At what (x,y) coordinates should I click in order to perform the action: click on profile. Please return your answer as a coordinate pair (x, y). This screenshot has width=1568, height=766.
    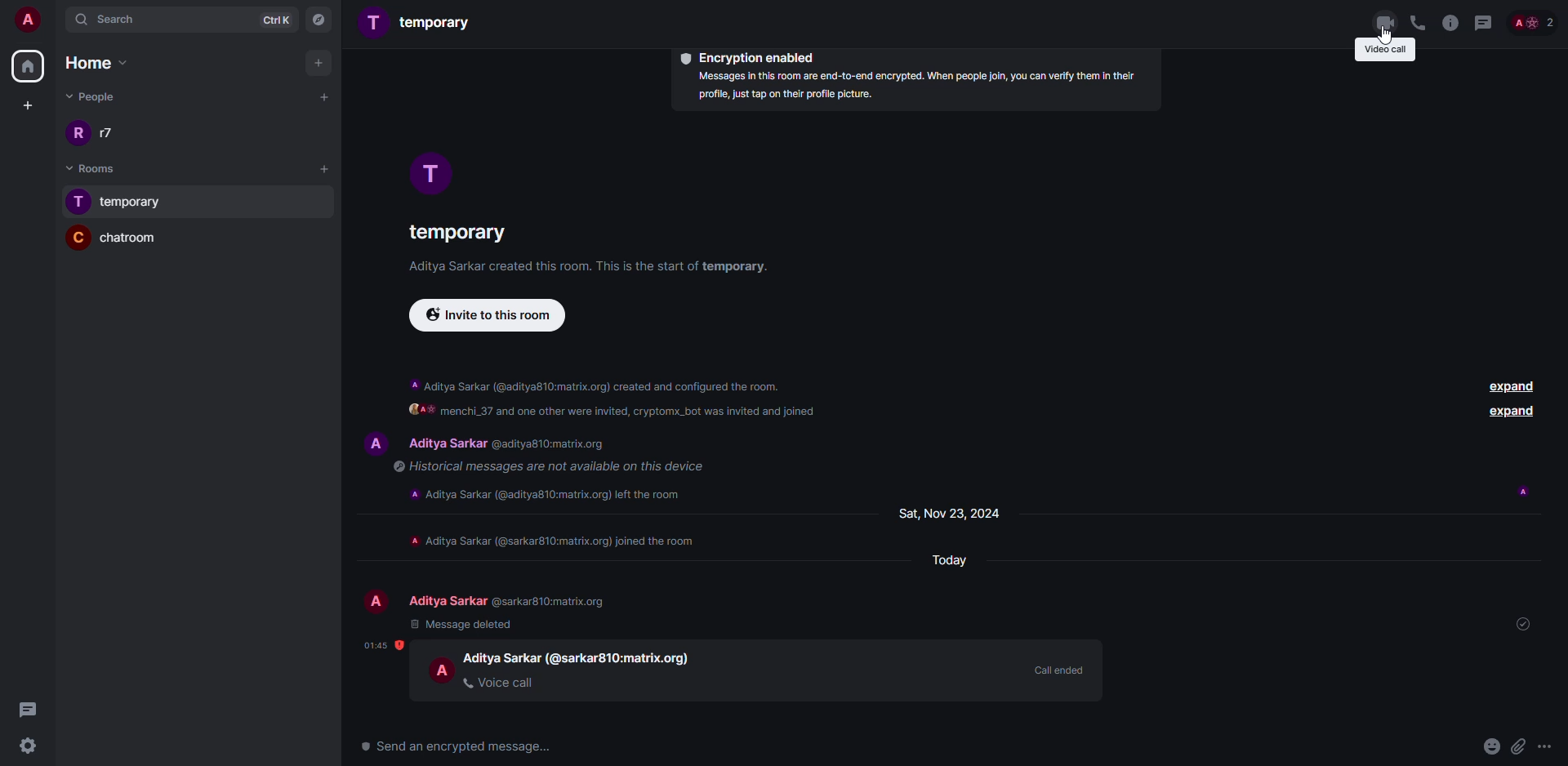
    Looking at the image, I should click on (375, 21).